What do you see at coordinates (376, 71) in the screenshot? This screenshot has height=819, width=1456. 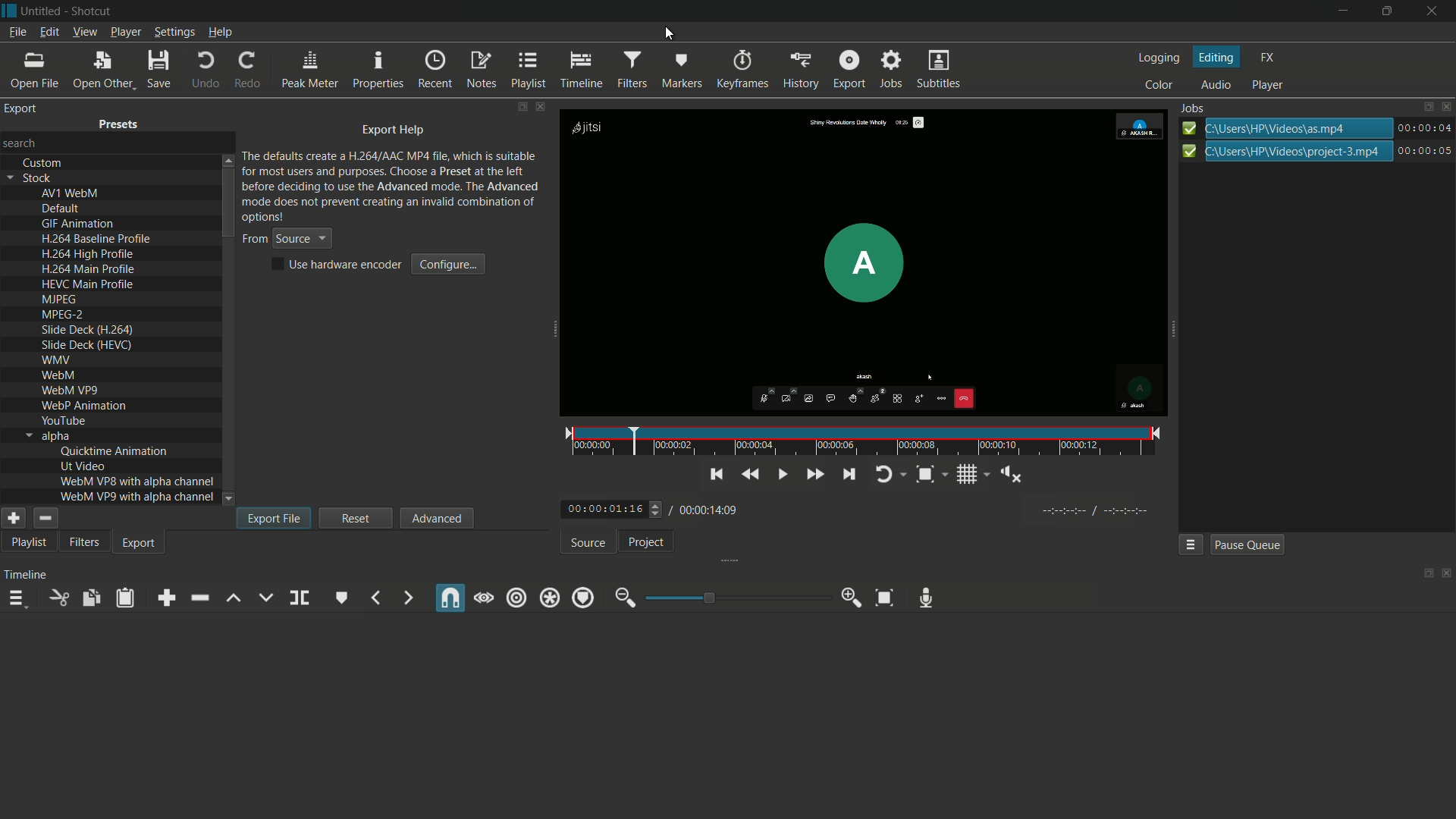 I see `properties` at bounding box center [376, 71].